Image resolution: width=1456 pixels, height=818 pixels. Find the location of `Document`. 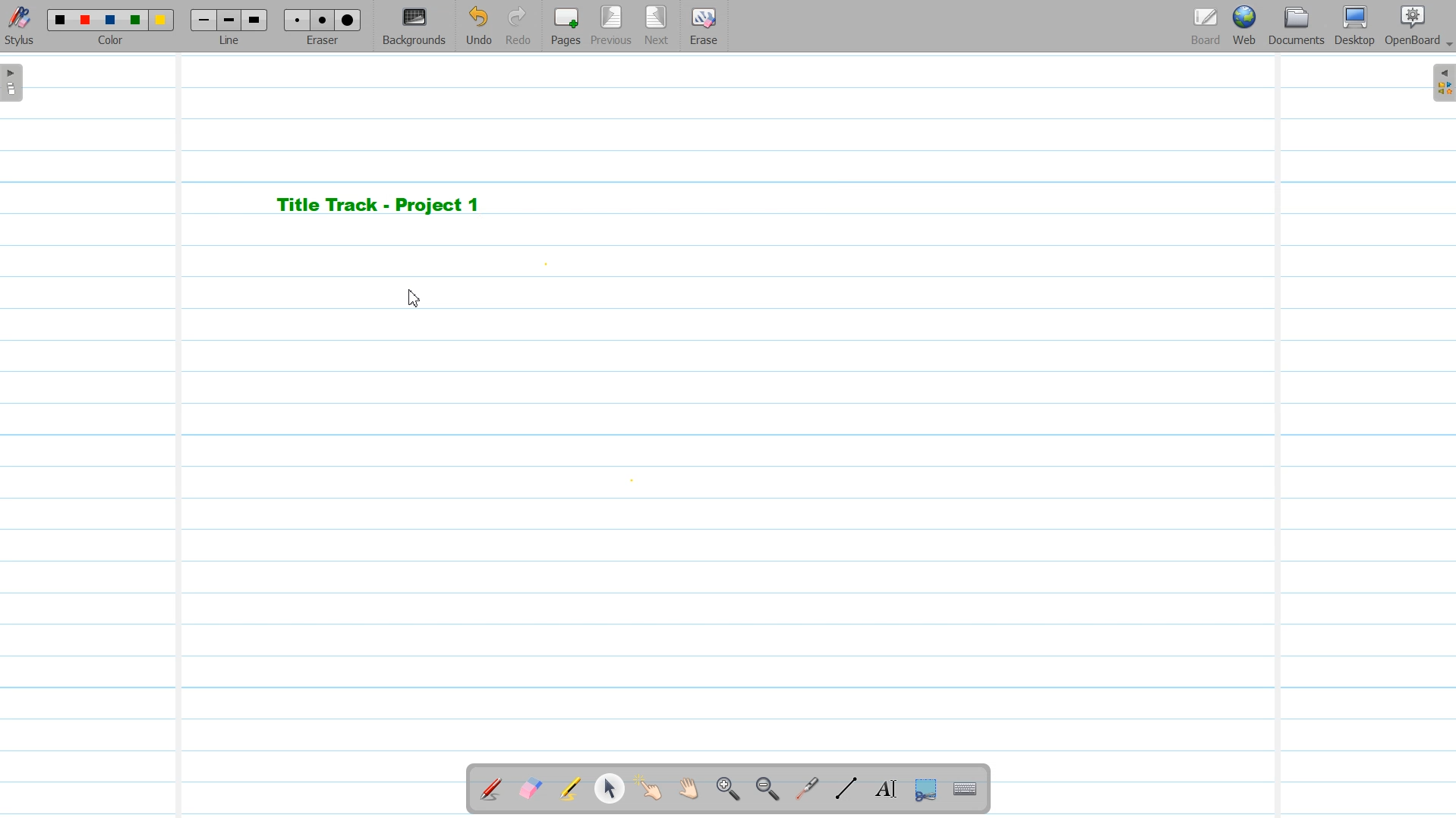

Document is located at coordinates (1298, 26).